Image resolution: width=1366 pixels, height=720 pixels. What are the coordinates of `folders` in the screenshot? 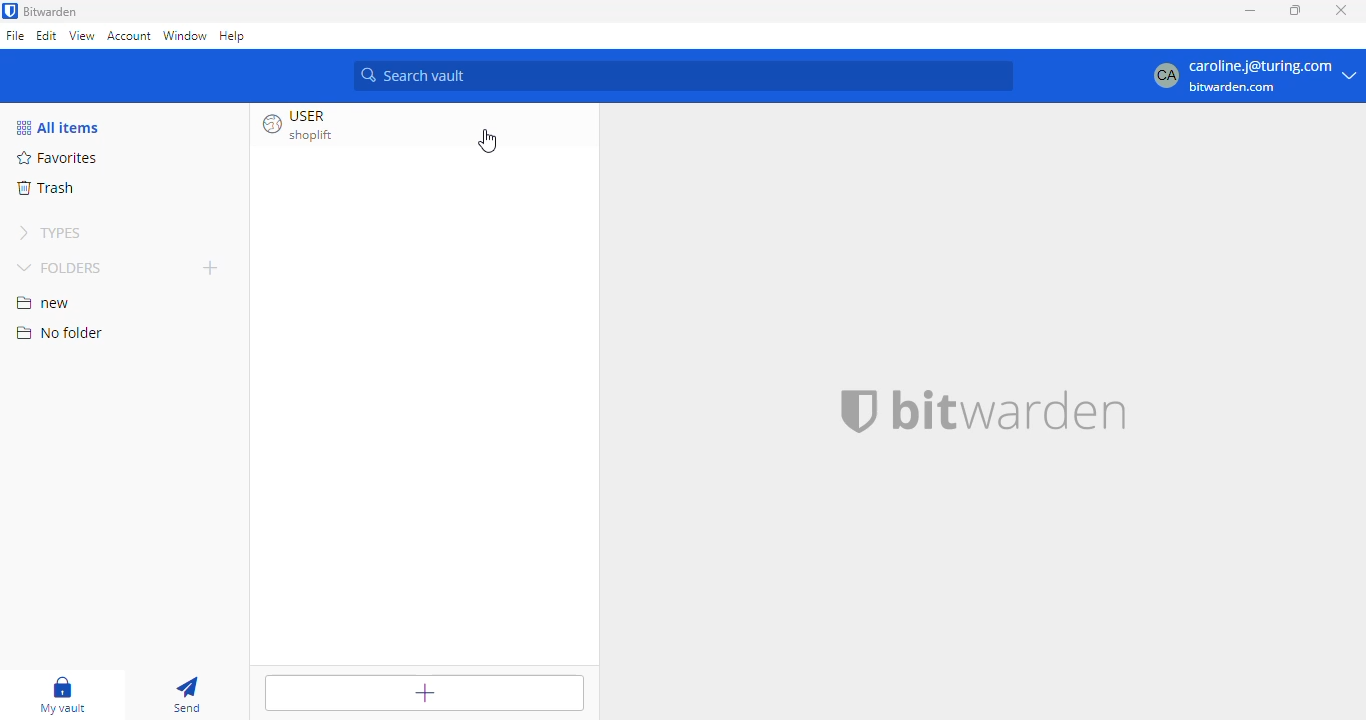 It's located at (61, 267).